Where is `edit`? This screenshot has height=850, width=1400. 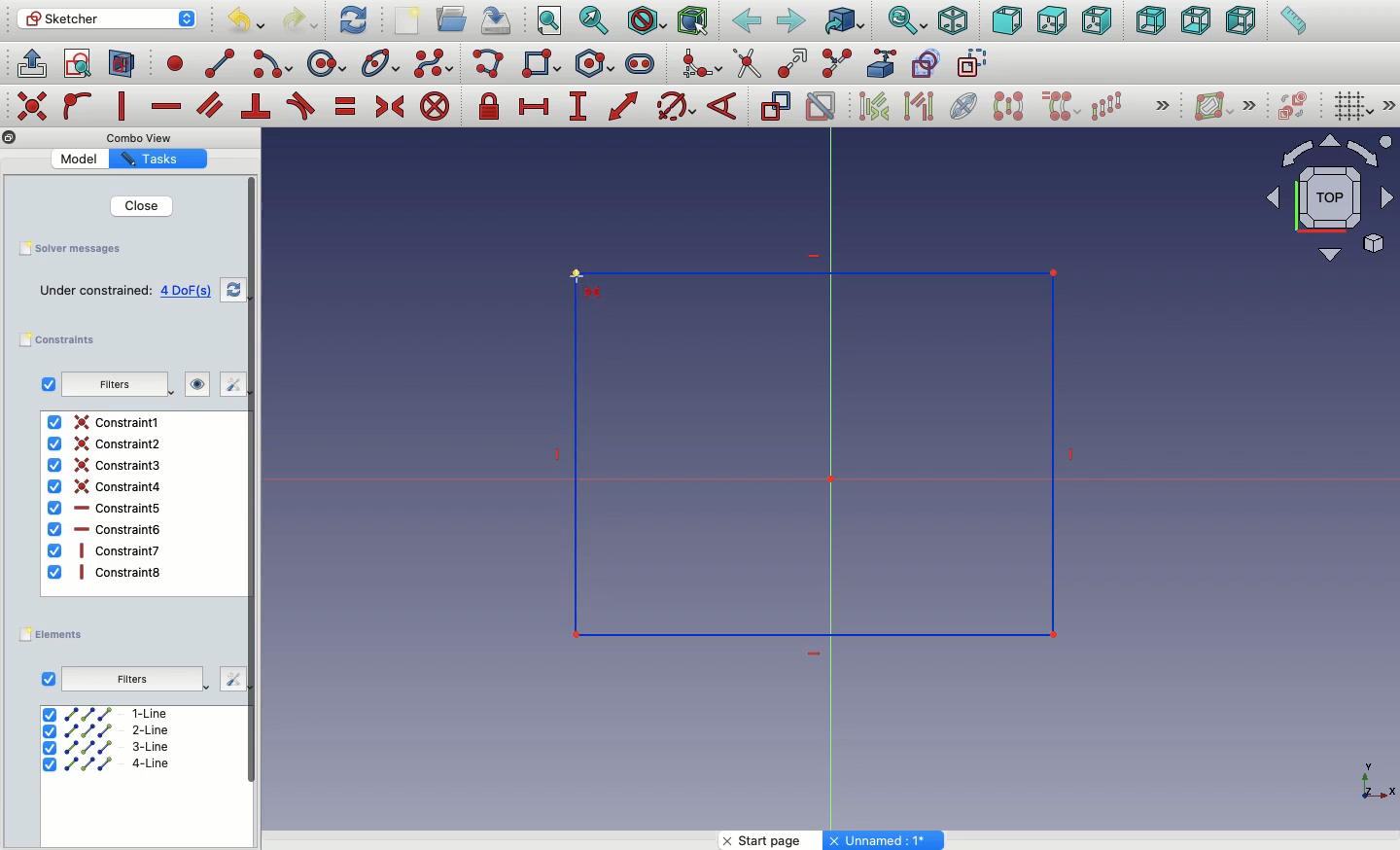 edit is located at coordinates (225, 384).